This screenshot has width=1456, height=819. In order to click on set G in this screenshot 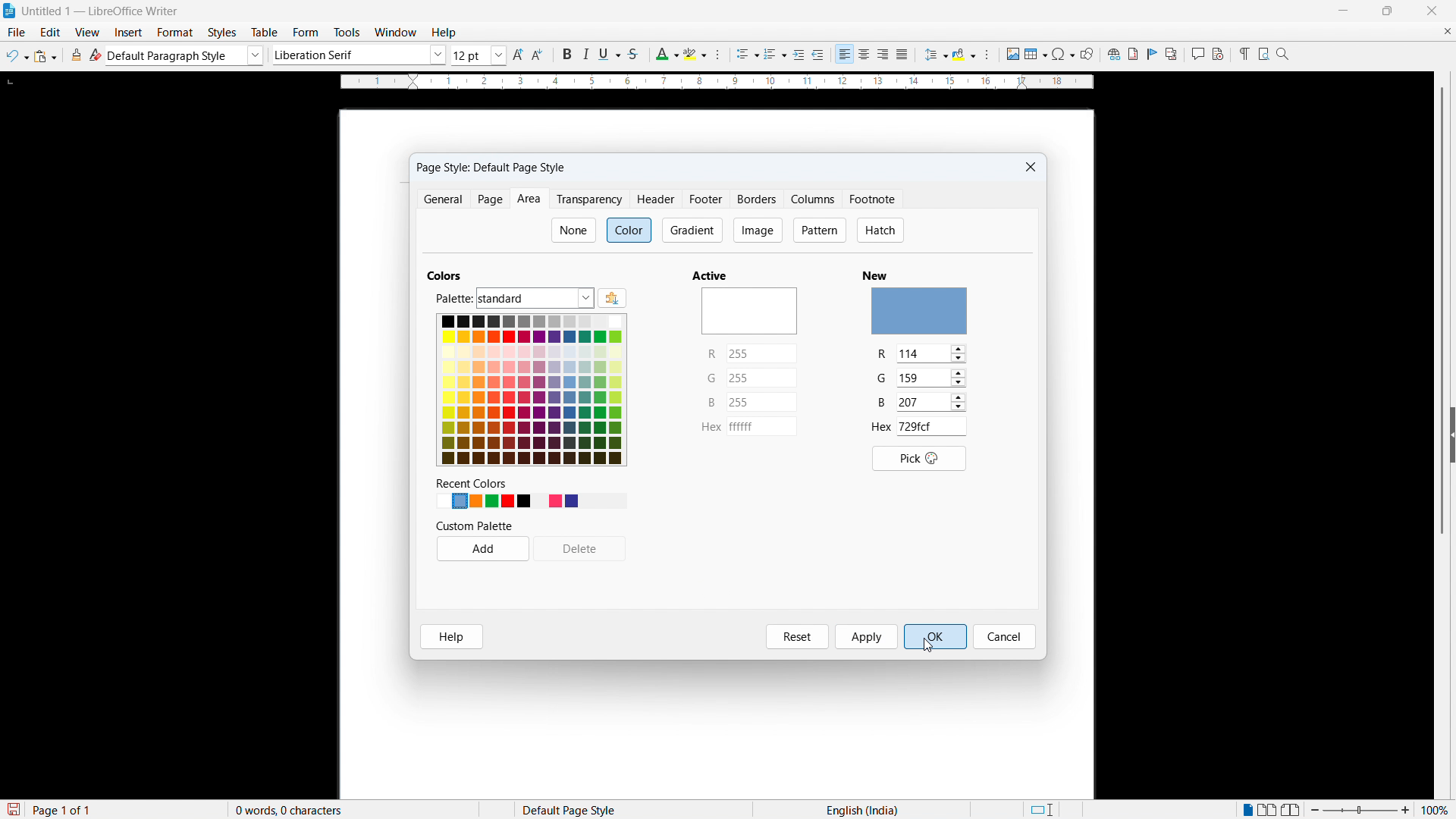, I will do `click(930, 377)`.